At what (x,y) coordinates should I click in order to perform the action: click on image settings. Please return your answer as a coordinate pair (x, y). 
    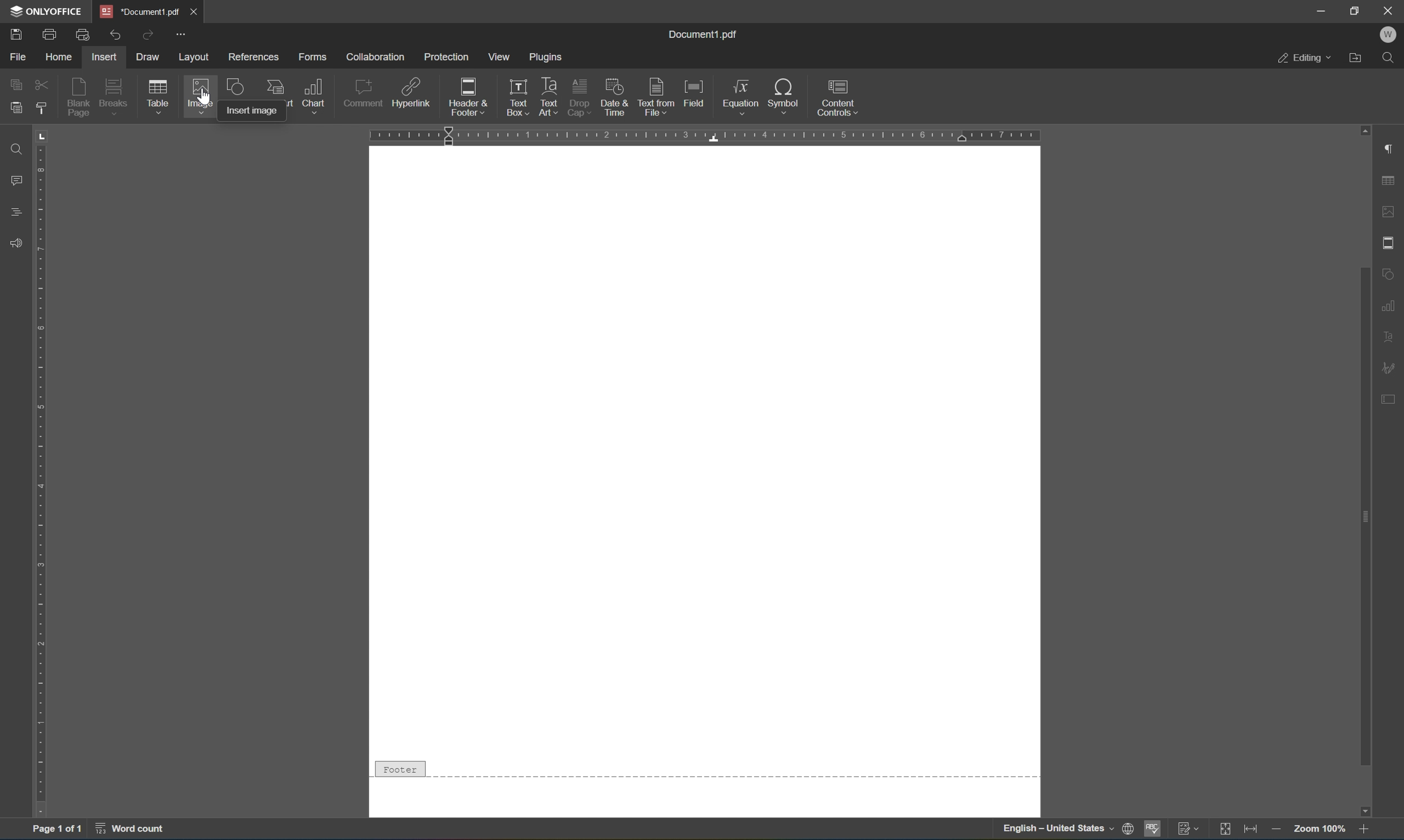
    Looking at the image, I should click on (1389, 209).